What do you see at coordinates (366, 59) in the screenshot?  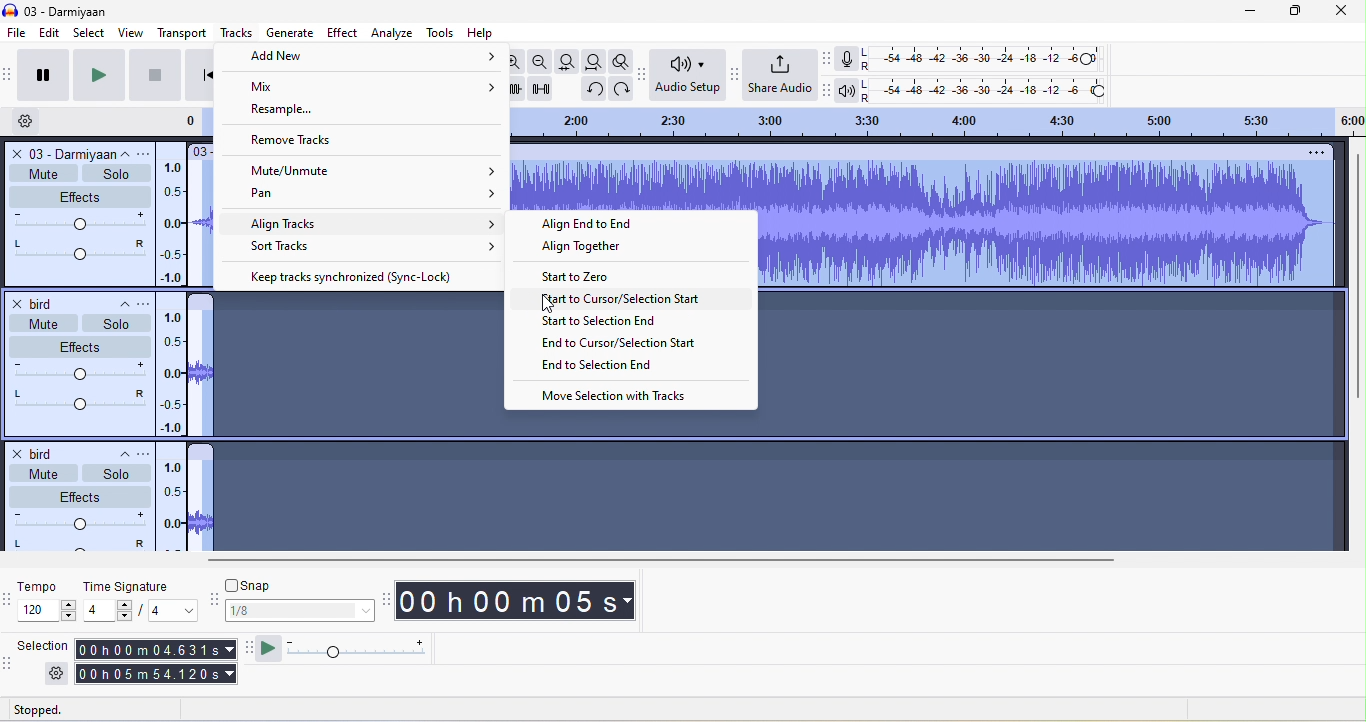 I see `add new` at bounding box center [366, 59].